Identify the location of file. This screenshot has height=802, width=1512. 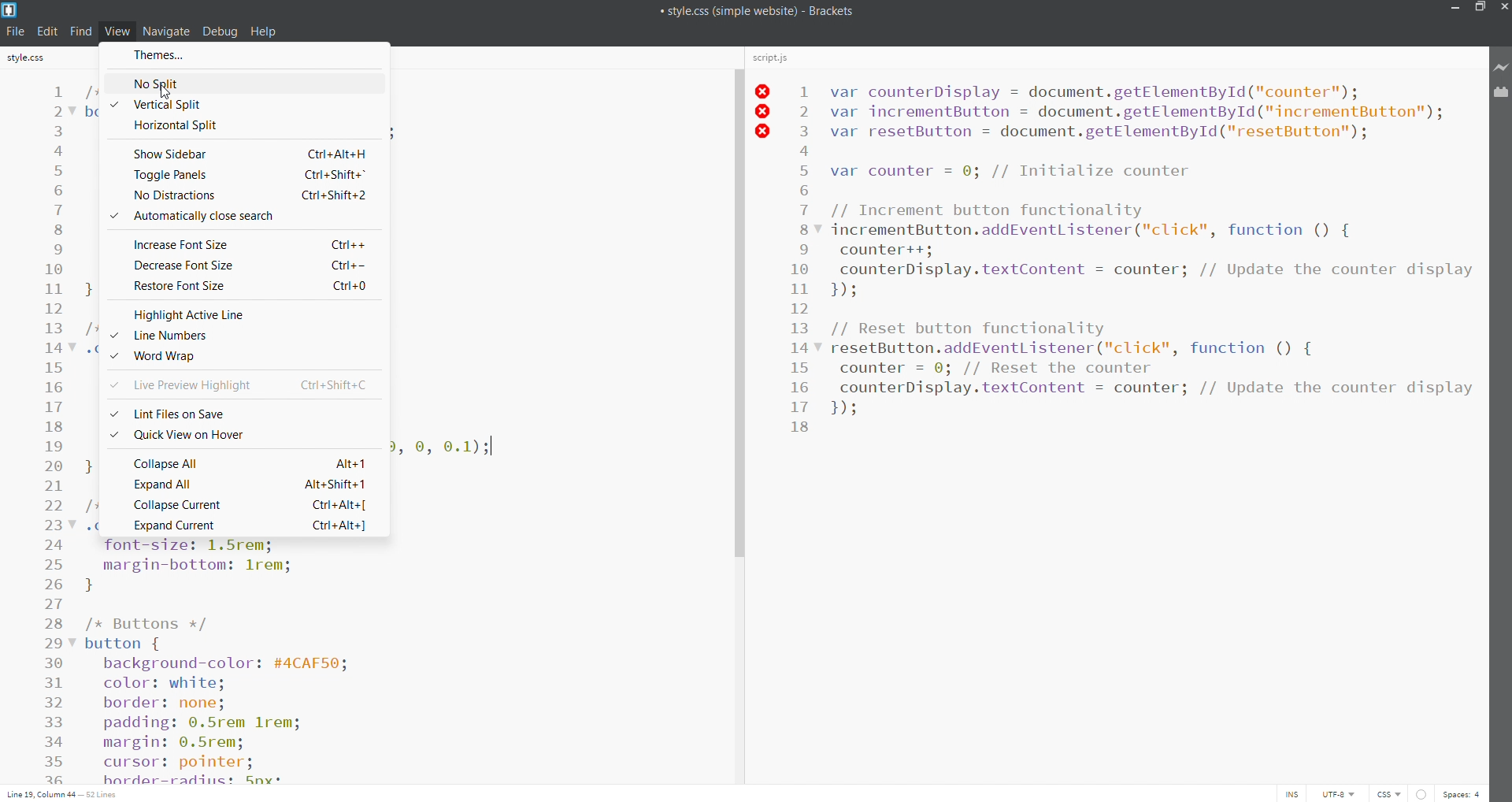
(17, 32).